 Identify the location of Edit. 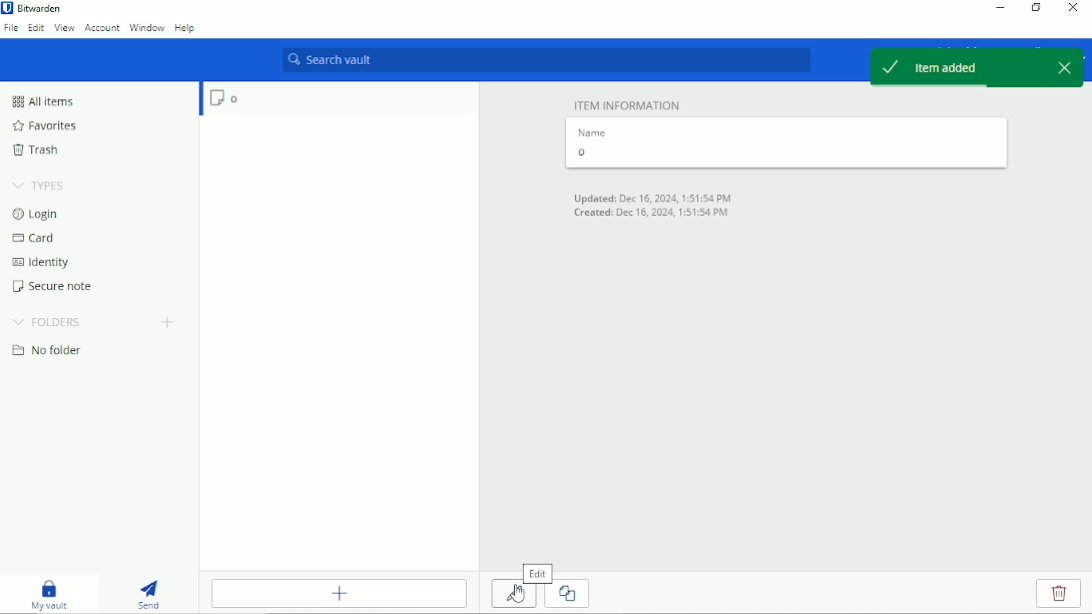
(513, 594).